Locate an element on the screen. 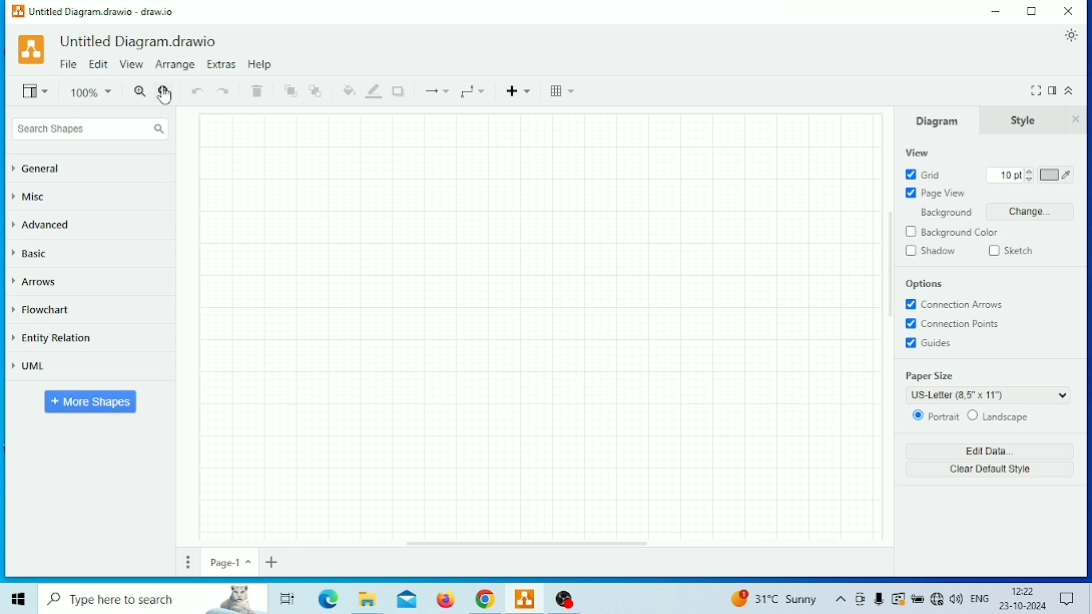 The image size is (1092, 614). Collapse/Expand is located at coordinates (1072, 90).